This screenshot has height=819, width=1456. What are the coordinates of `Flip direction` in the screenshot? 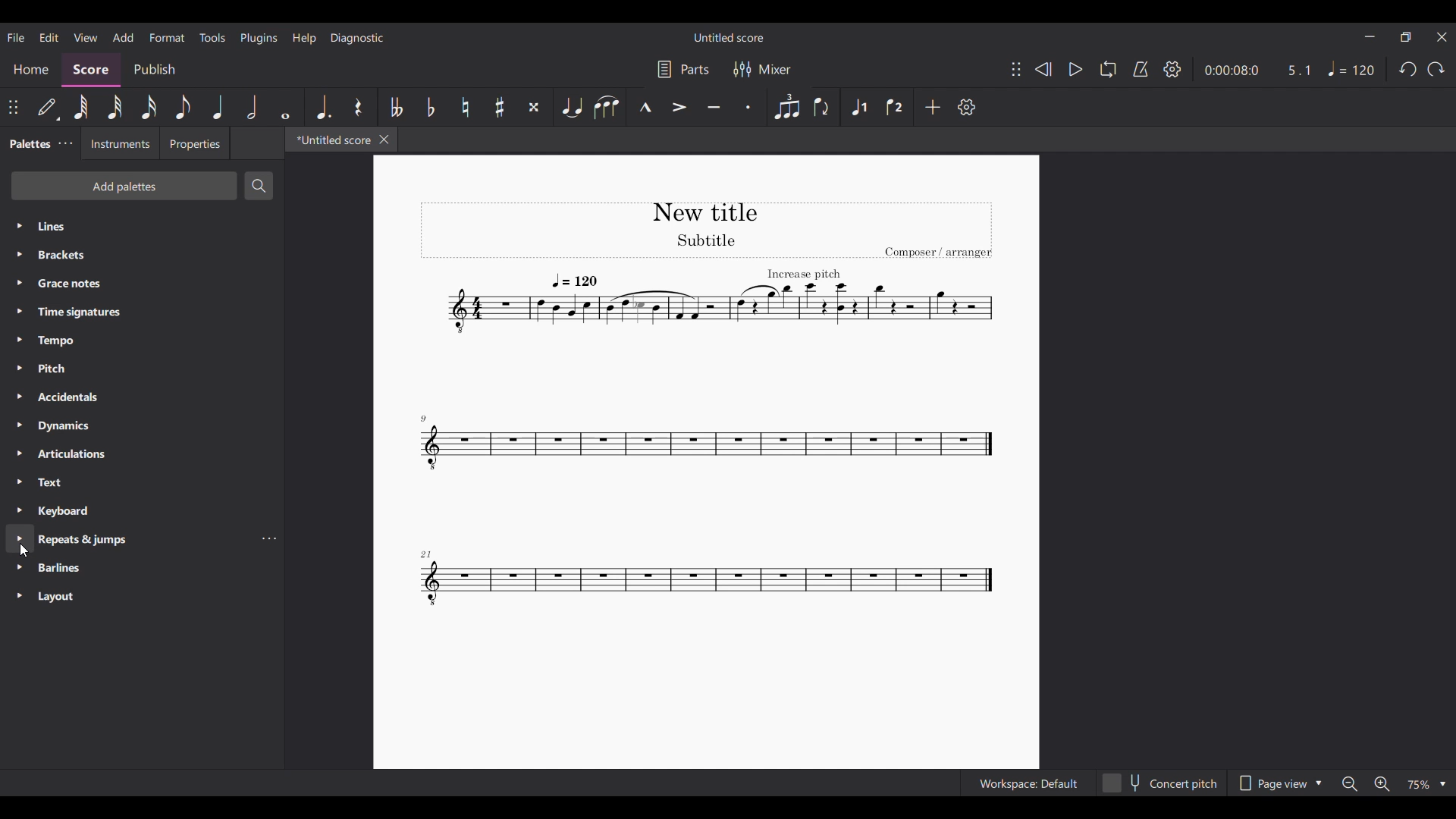 It's located at (823, 107).